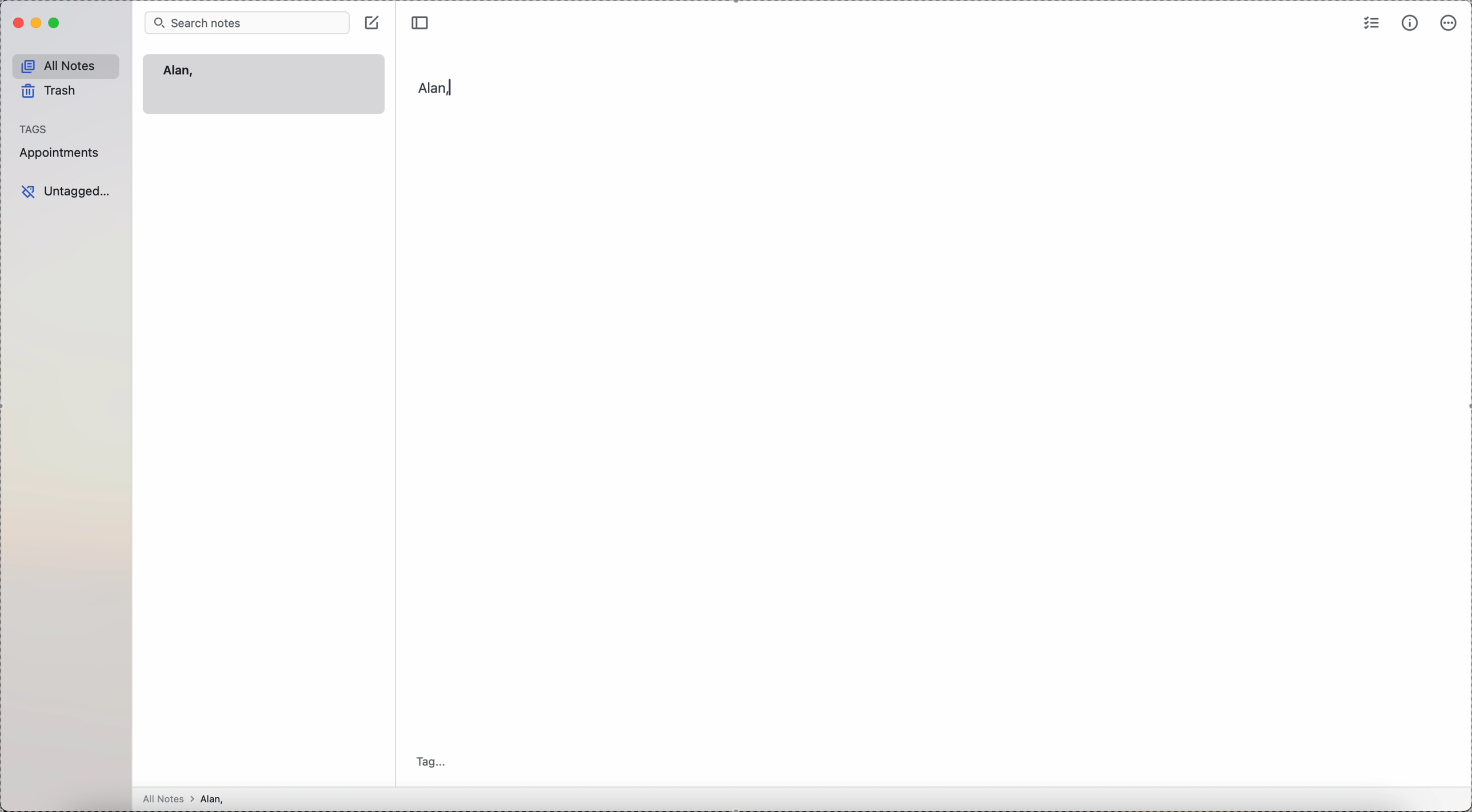  I want to click on check list, so click(1372, 22).